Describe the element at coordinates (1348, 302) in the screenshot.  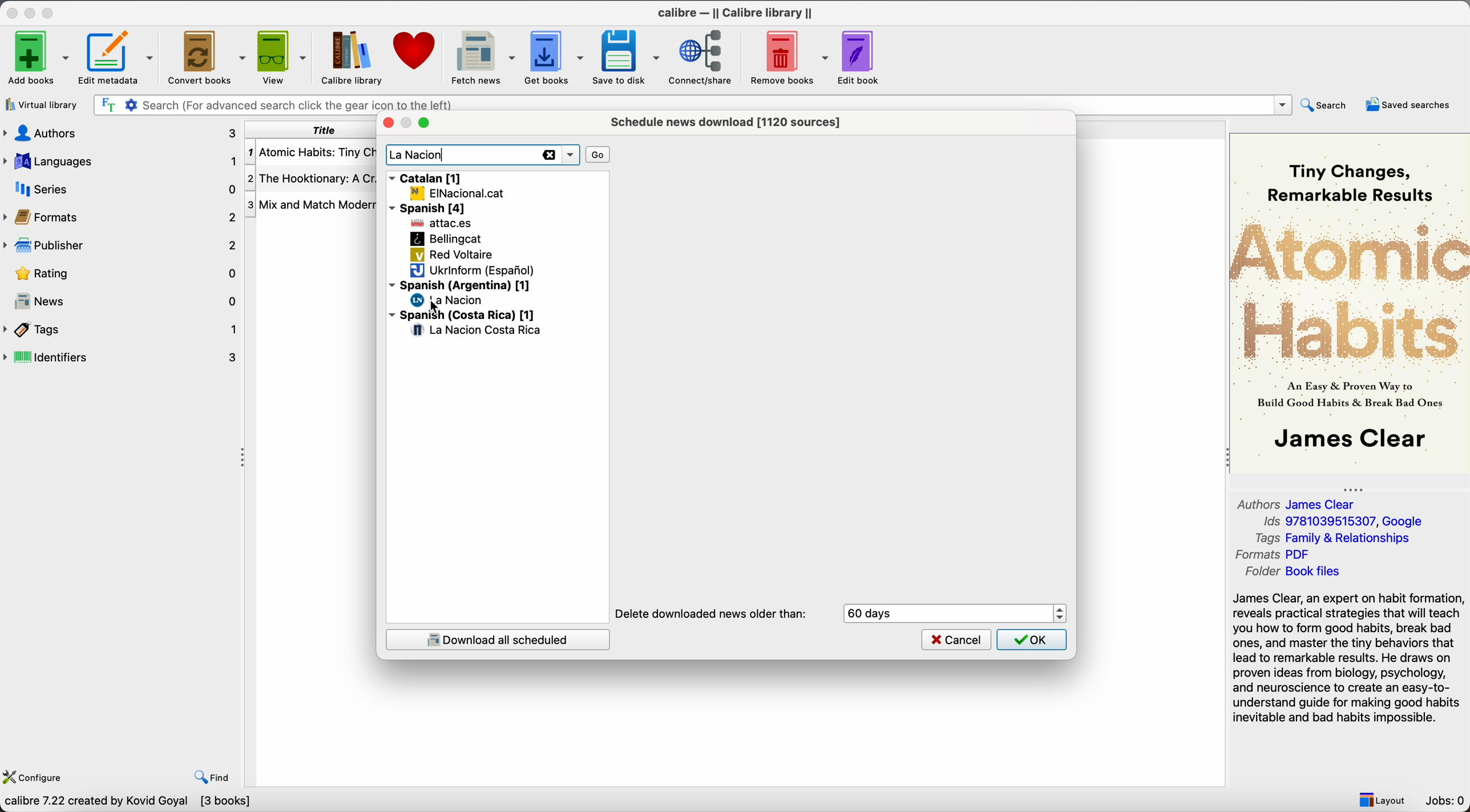
I see `book cover preview` at that location.